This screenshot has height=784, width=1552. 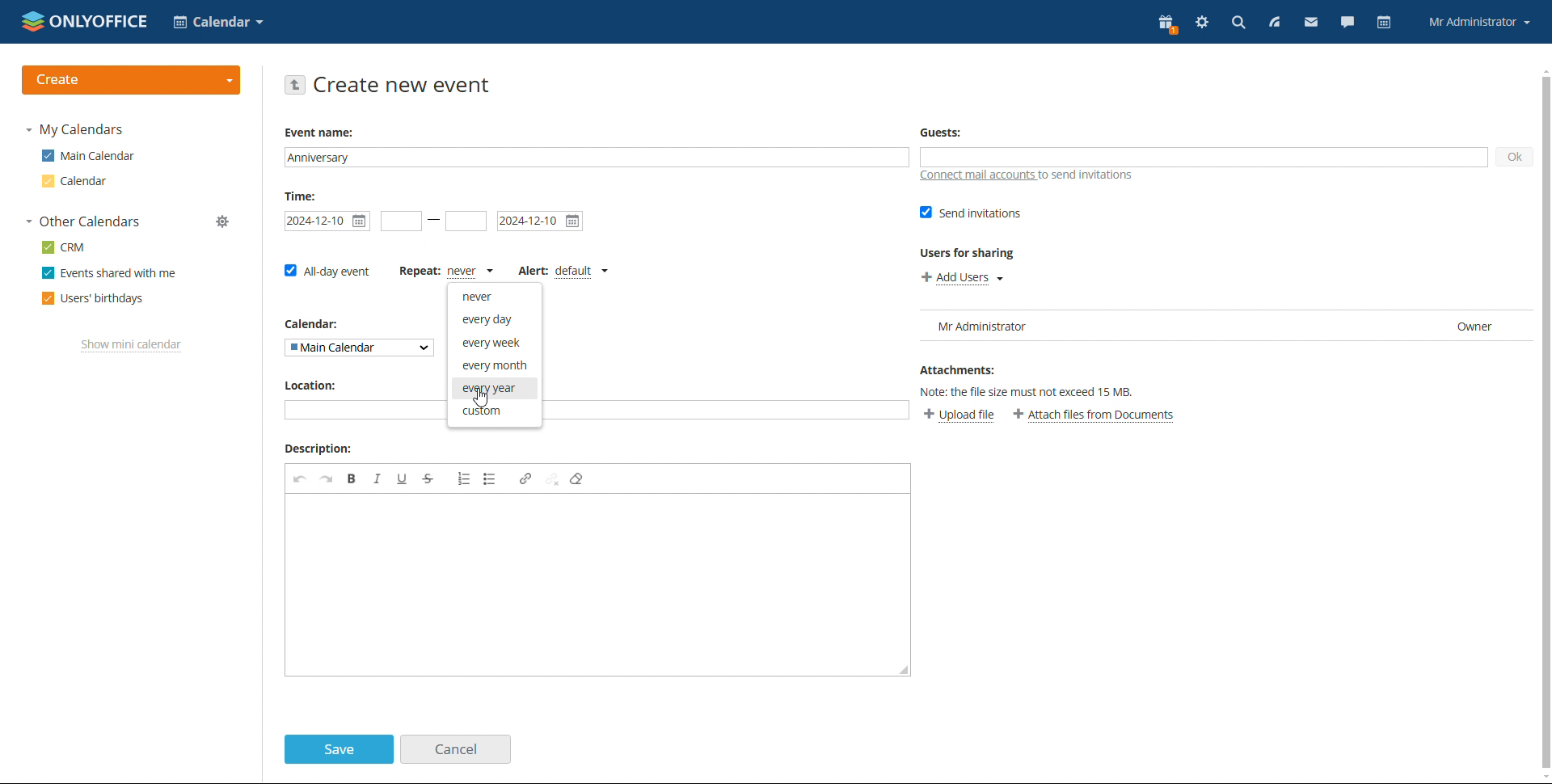 I want to click on calendar, so click(x=74, y=183).